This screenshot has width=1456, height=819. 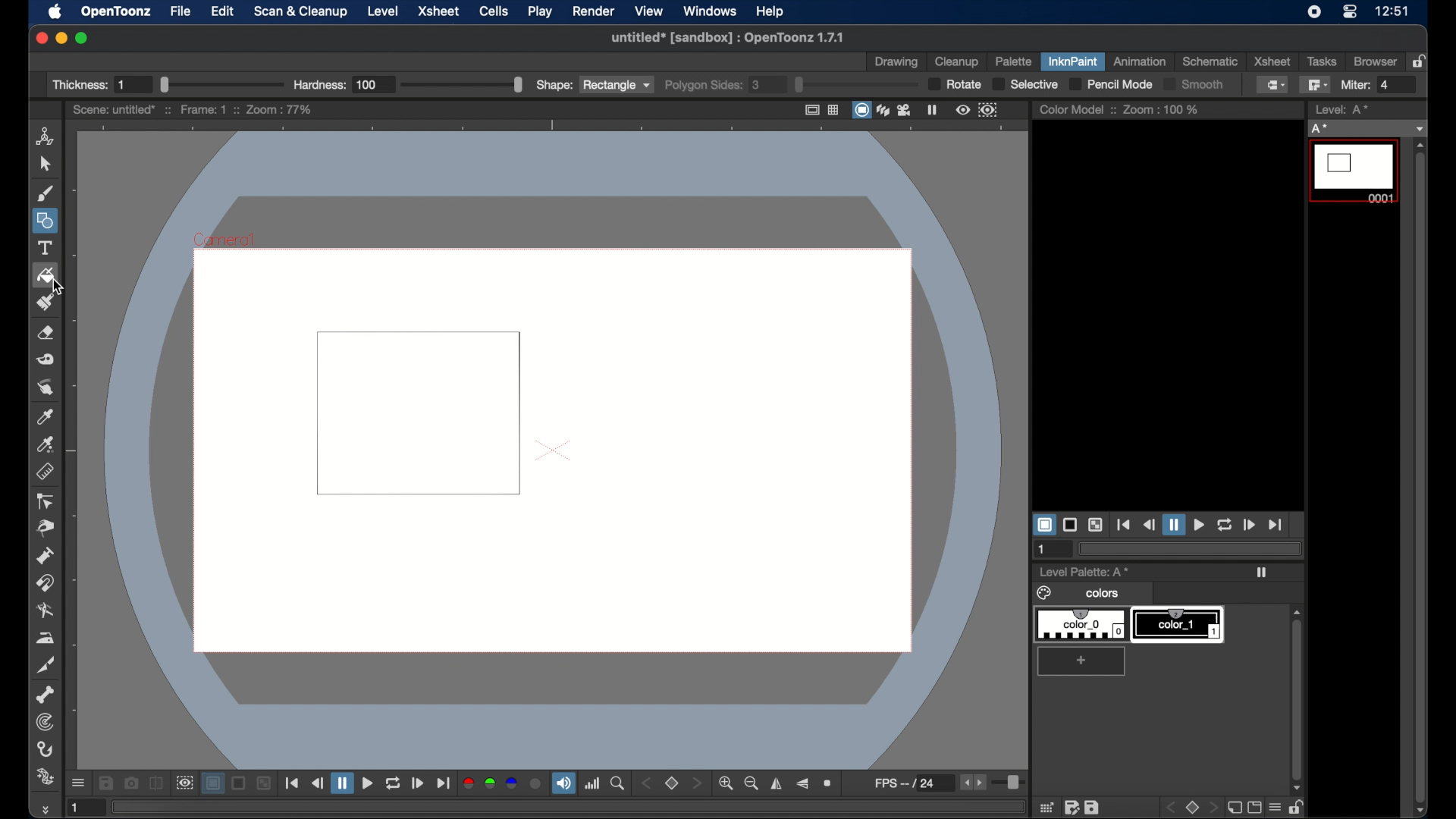 I want to click on 1, so click(x=83, y=807).